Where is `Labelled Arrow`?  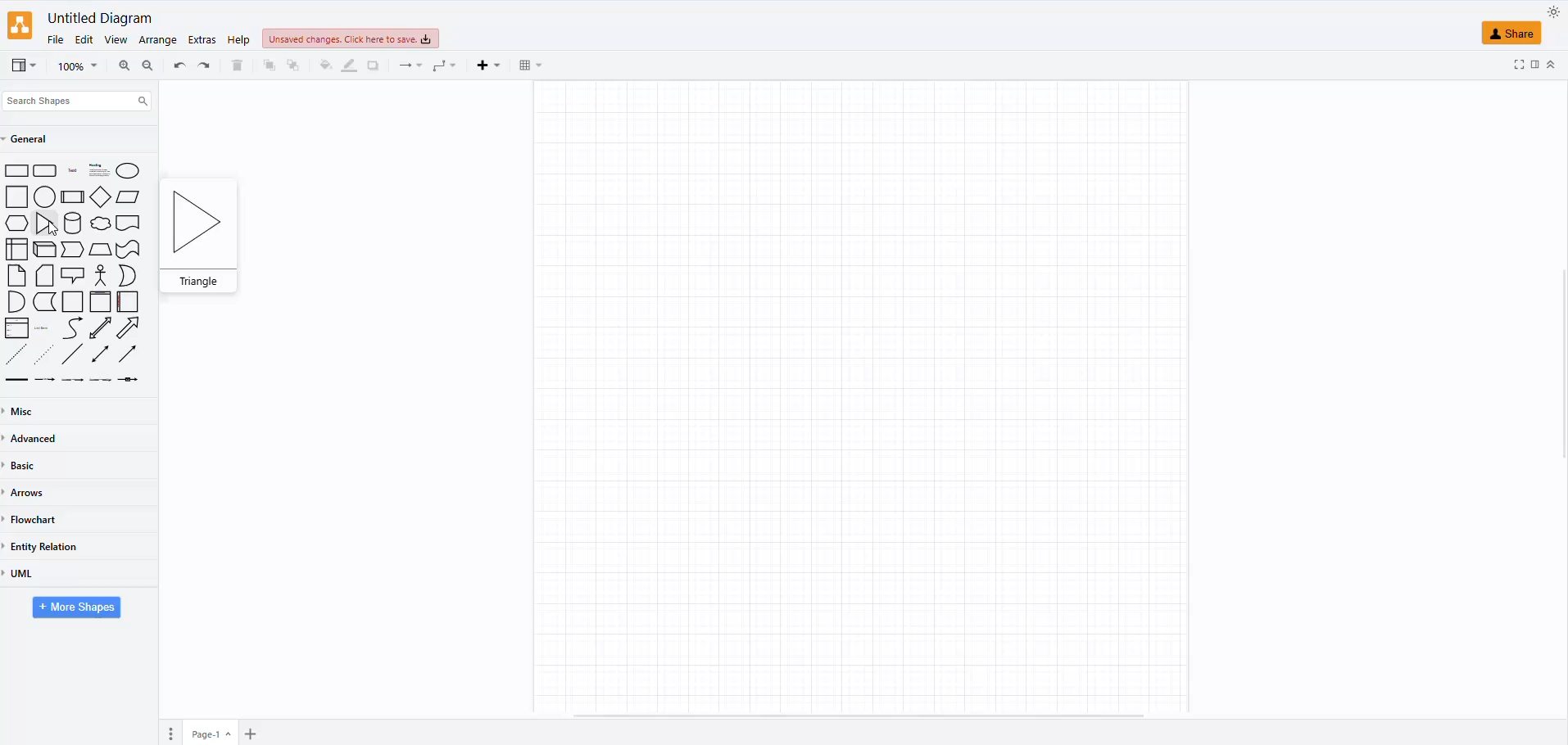
Labelled Arrow is located at coordinates (45, 381).